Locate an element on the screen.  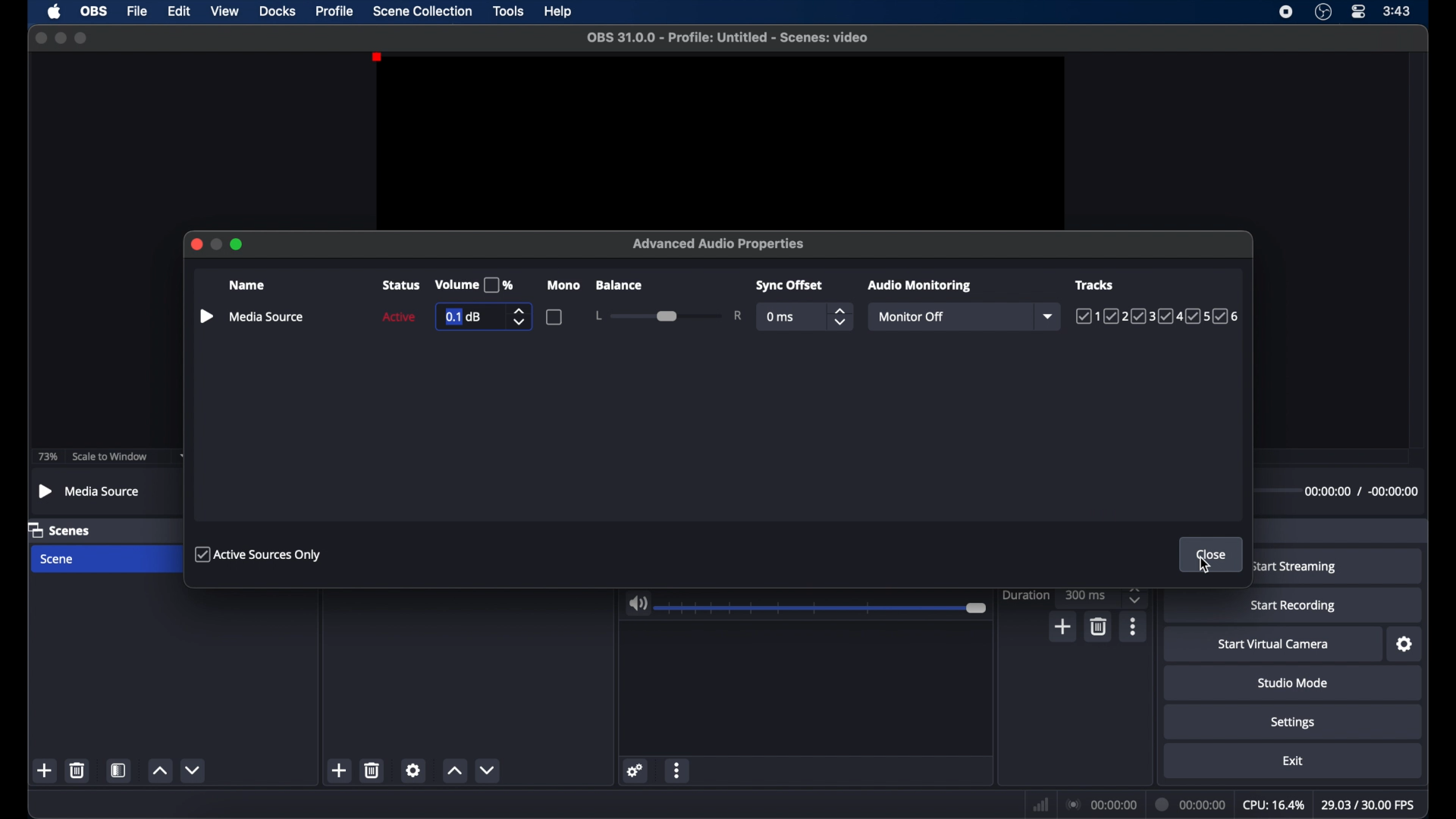
volume is located at coordinates (475, 285).